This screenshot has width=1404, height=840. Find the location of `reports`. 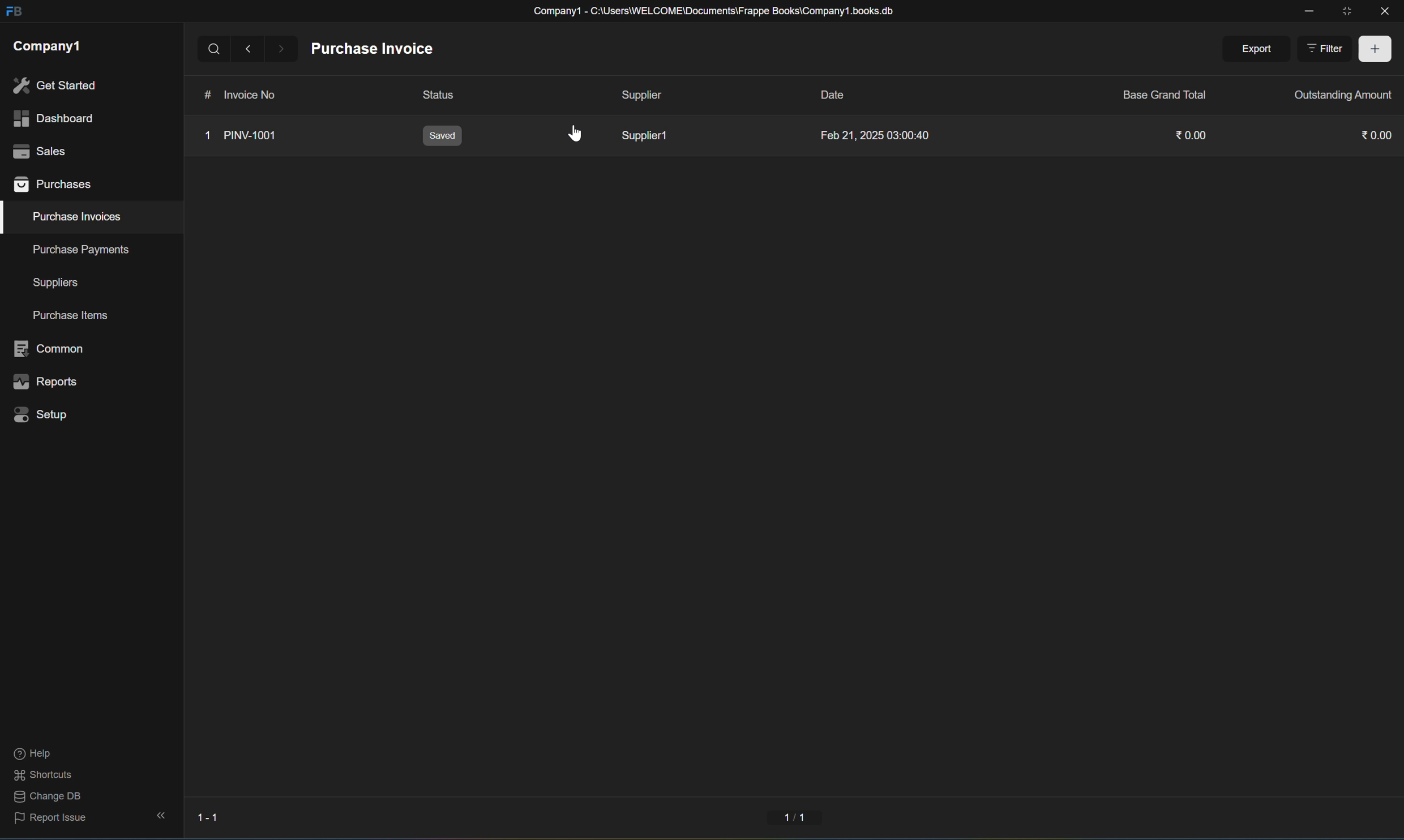

reports is located at coordinates (46, 383).